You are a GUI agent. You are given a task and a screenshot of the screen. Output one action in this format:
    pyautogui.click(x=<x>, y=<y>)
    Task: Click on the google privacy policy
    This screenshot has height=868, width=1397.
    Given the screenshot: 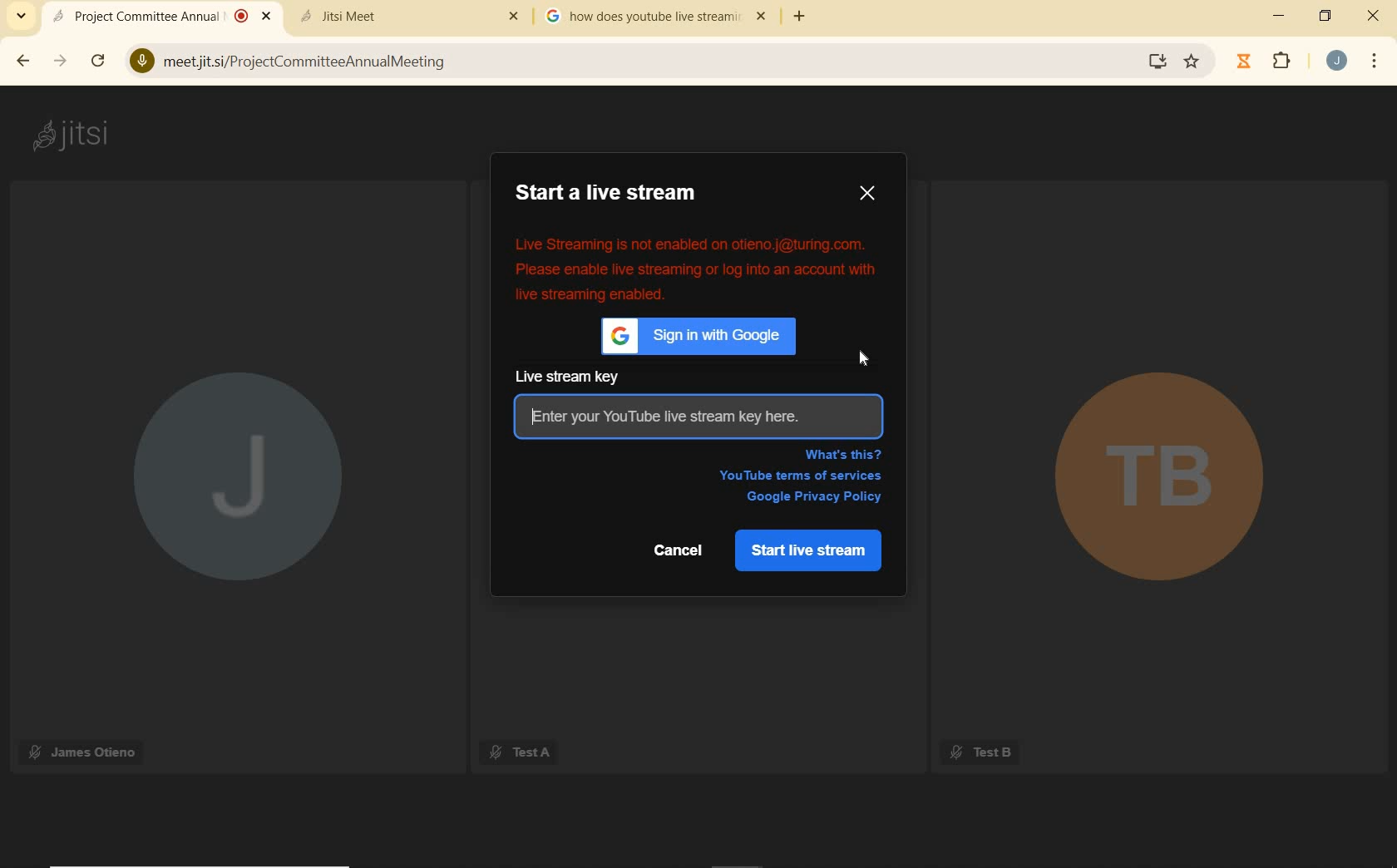 What is the action you would take?
    pyautogui.click(x=815, y=497)
    